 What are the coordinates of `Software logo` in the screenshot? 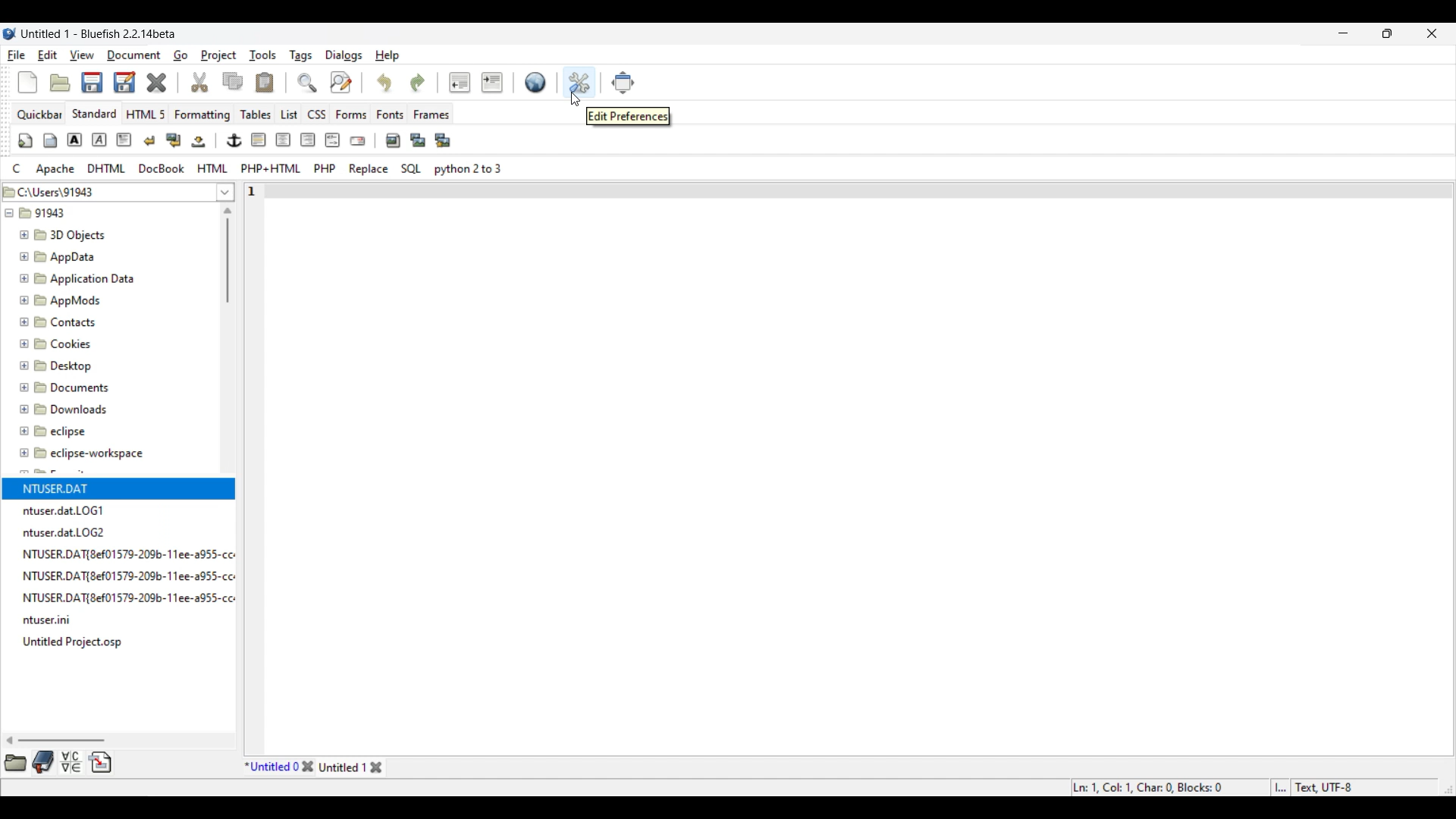 It's located at (10, 33).